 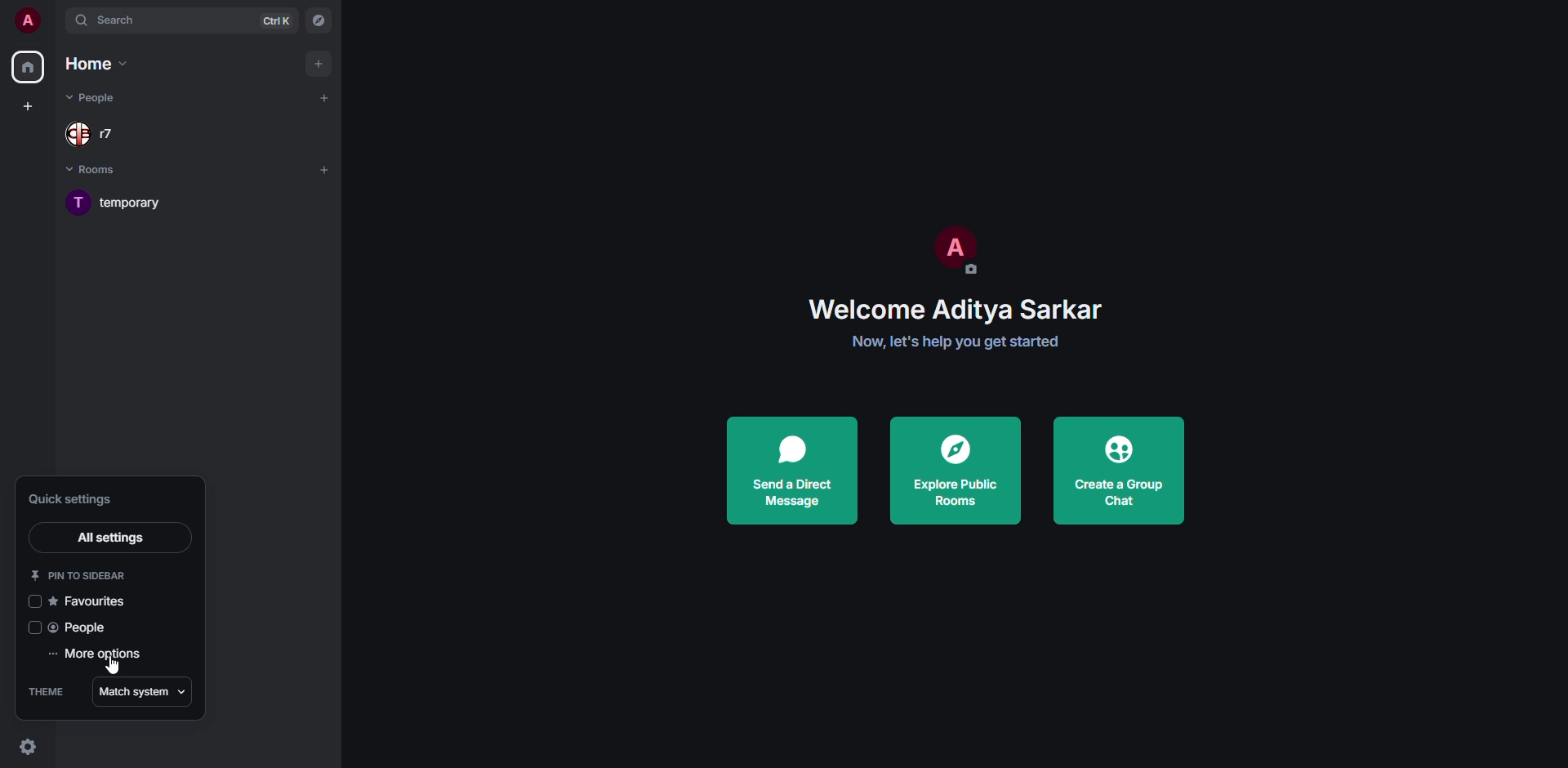 I want to click on add, so click(x=325, y=96).